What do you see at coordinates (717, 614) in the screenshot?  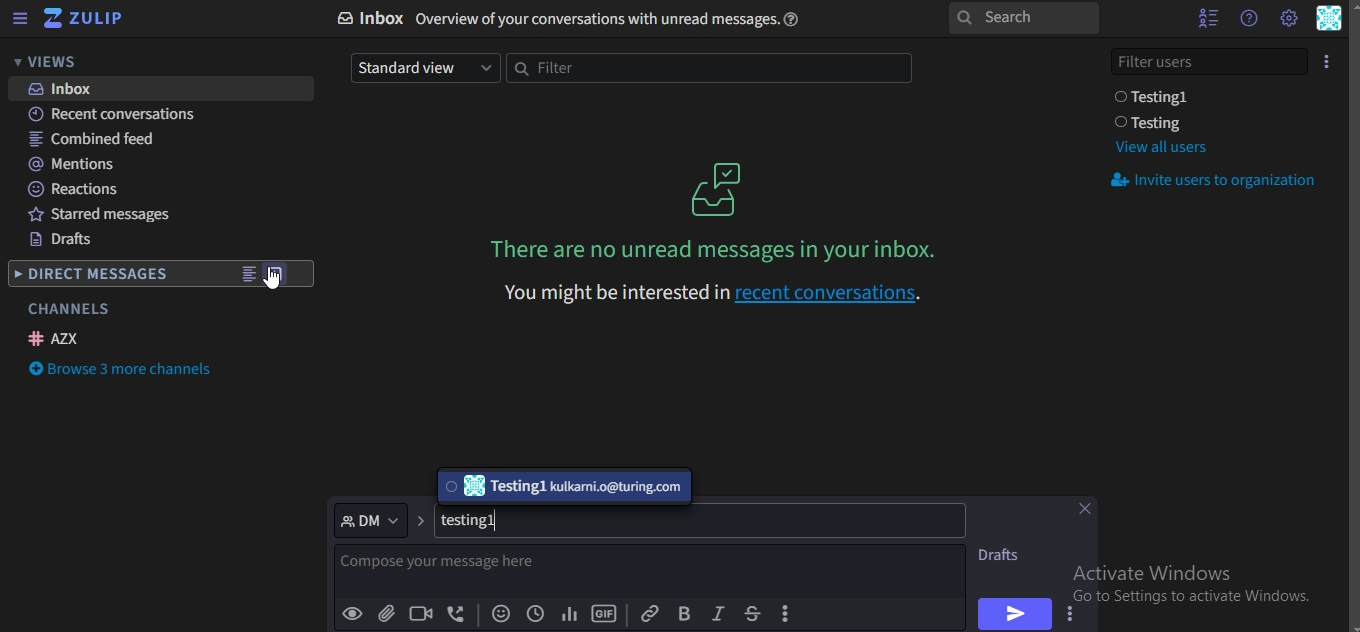 I see `italic` at bounding box center [717, 614].